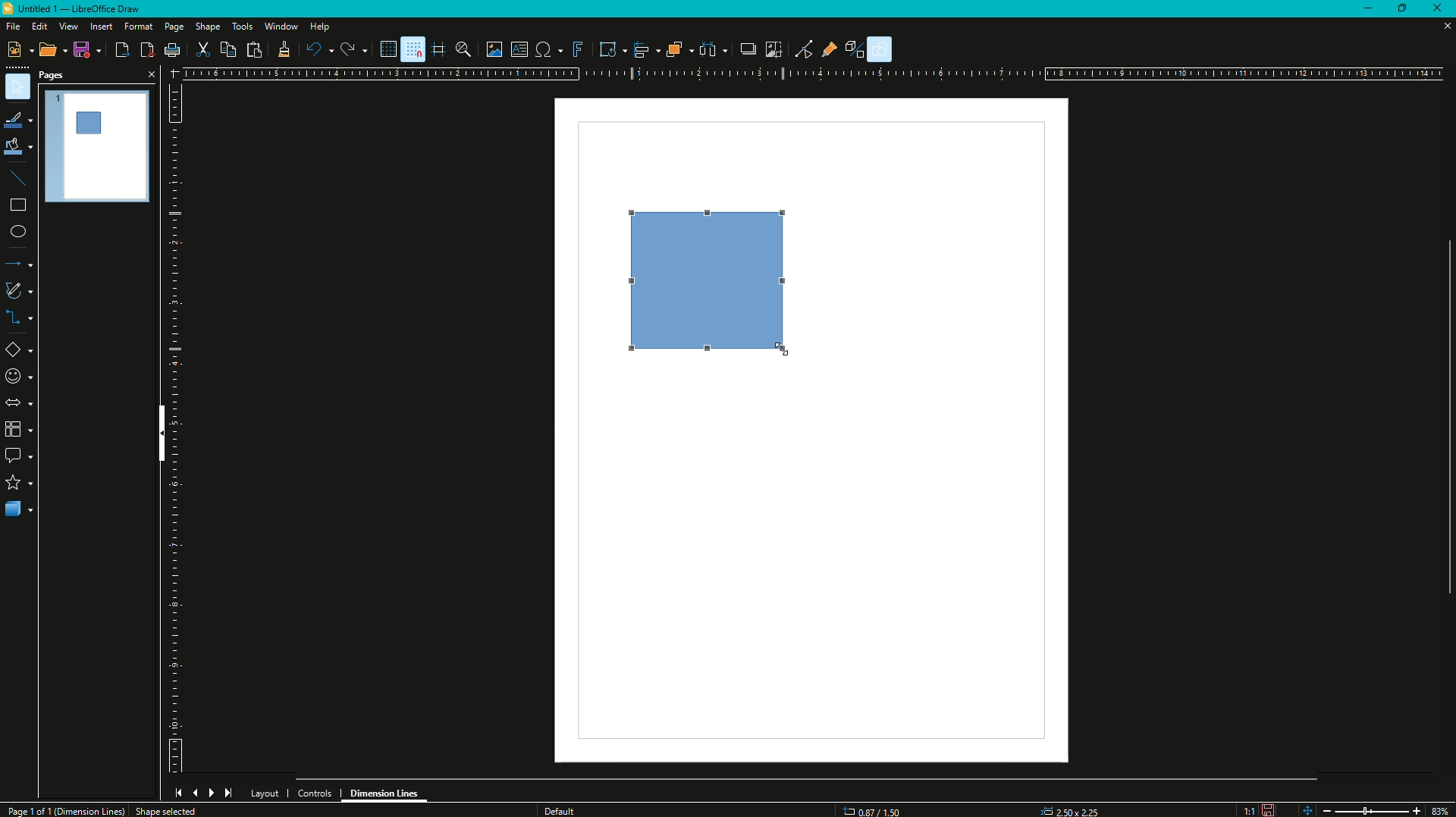  What do you see at coordinates (100, 27) in the screenshot?
I see `Insert` at bounding box center [100, 27].